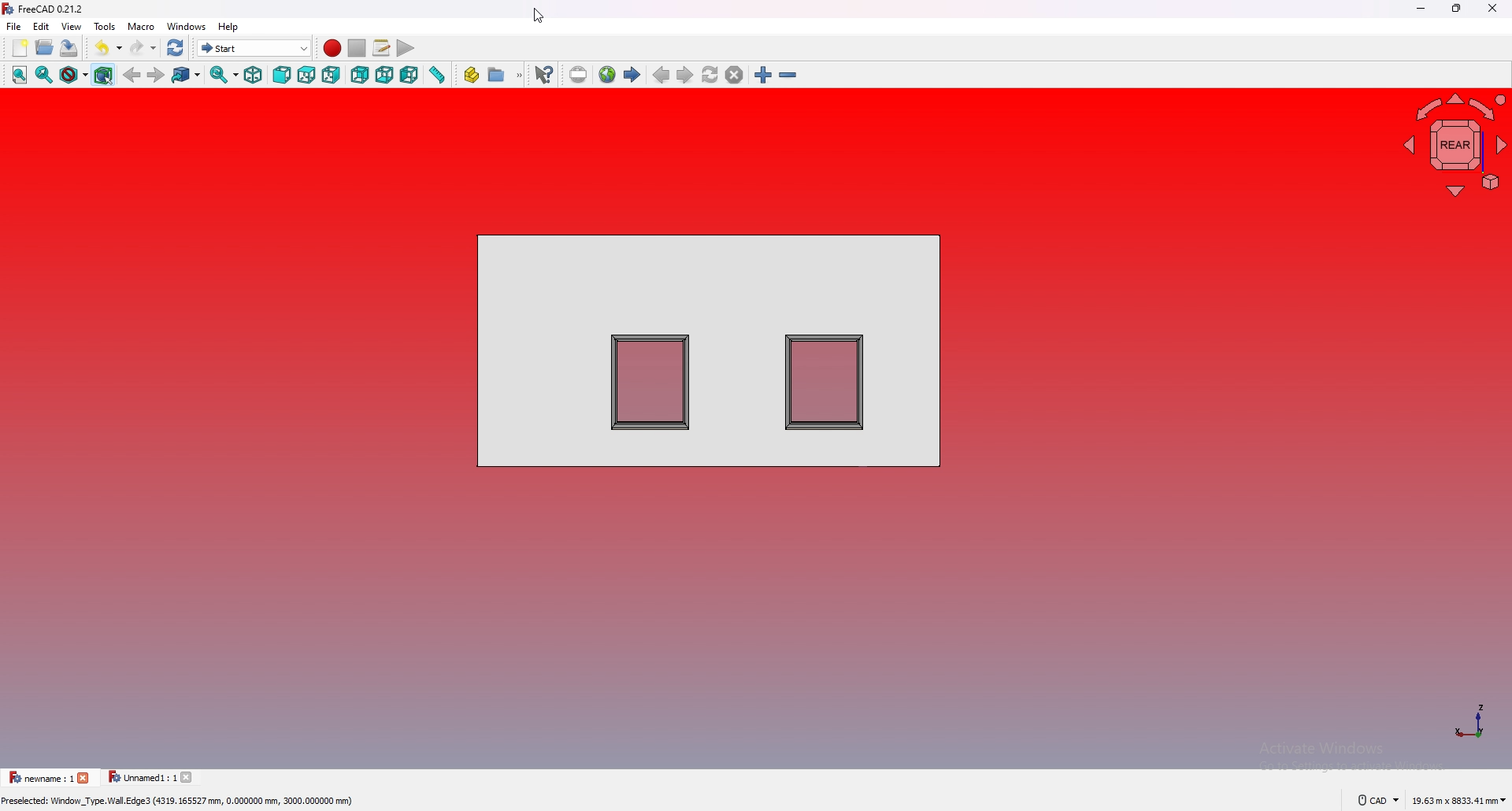  Describe the element at coordinates (381, 48) in the screenshot. I see `macros` at that location.